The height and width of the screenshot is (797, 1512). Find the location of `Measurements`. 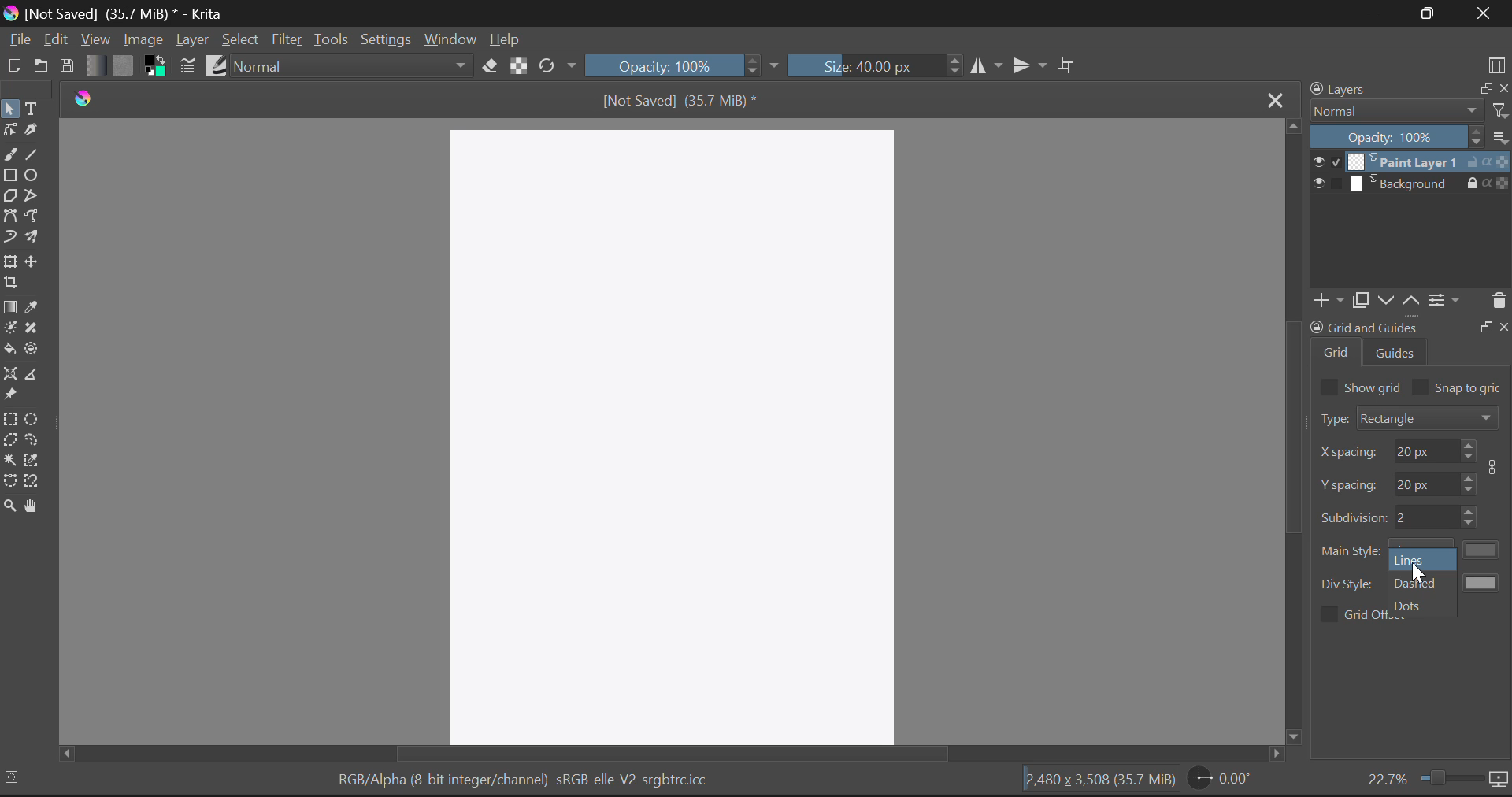

Measurements is located at coordinates (36, 376).